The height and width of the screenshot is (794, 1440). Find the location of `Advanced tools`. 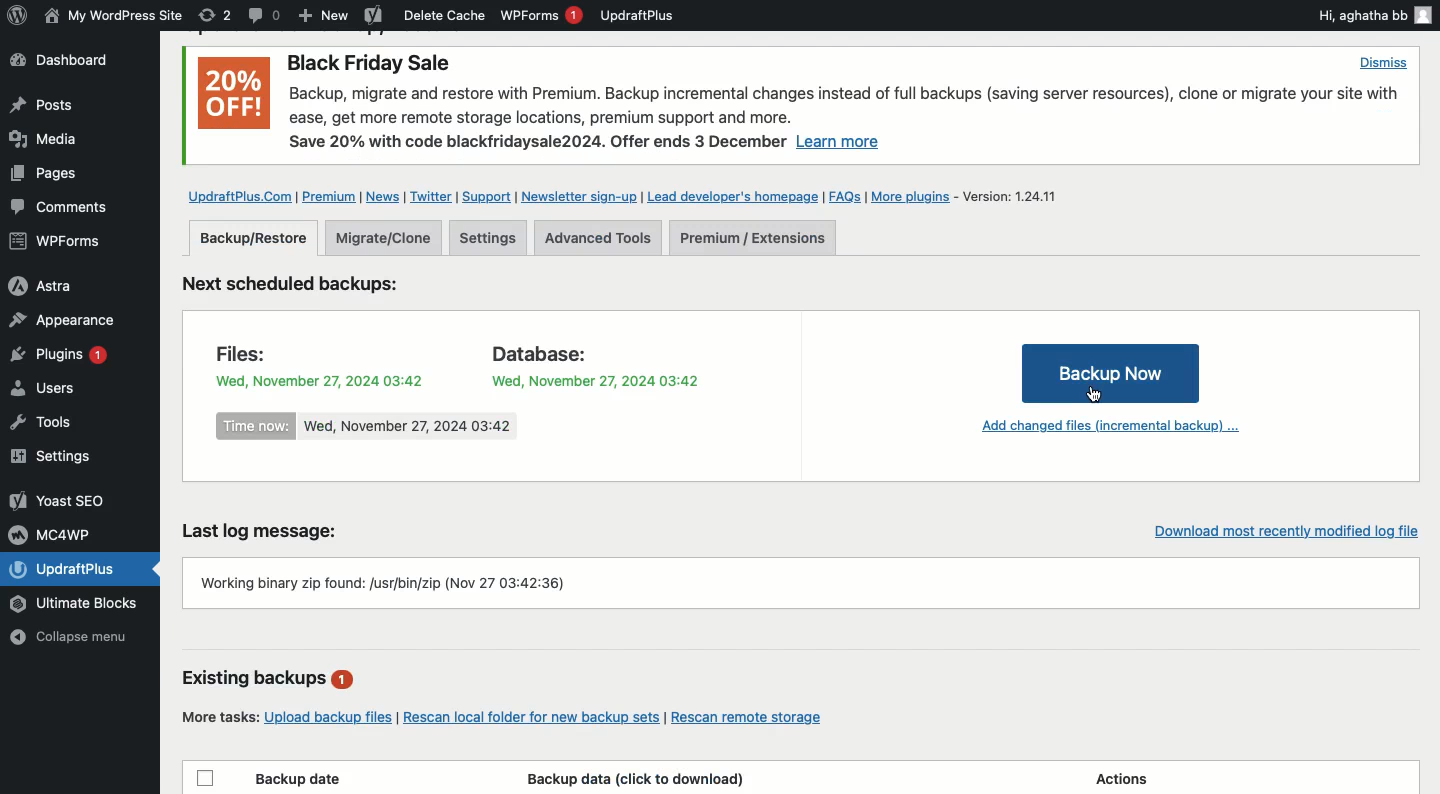

Advanced tools is located at coordinates (595, 238).